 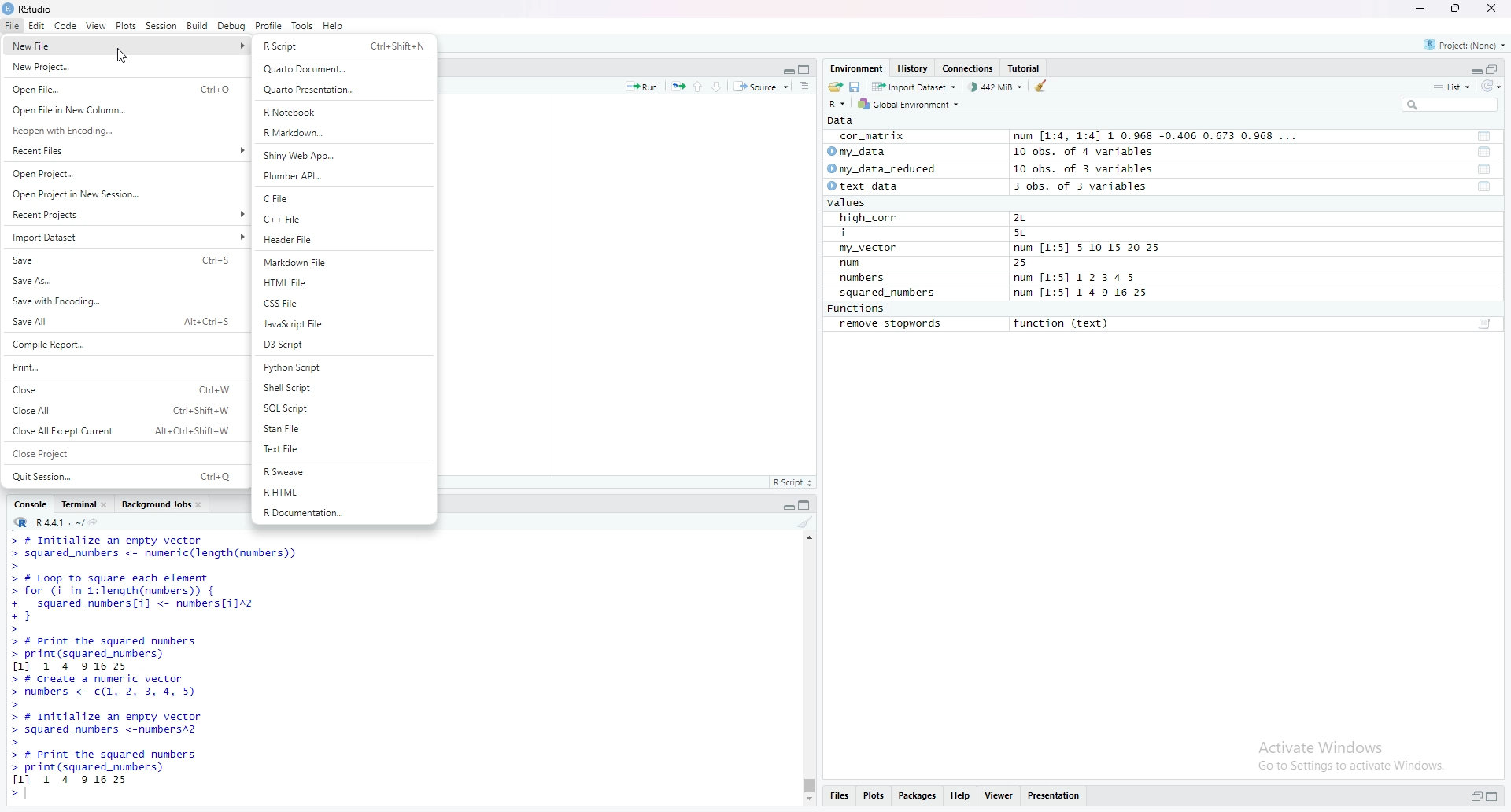 What do you see at coordinates (793, 482) in the screenshot?
I see `R Script` at bounding box center [793, 482].